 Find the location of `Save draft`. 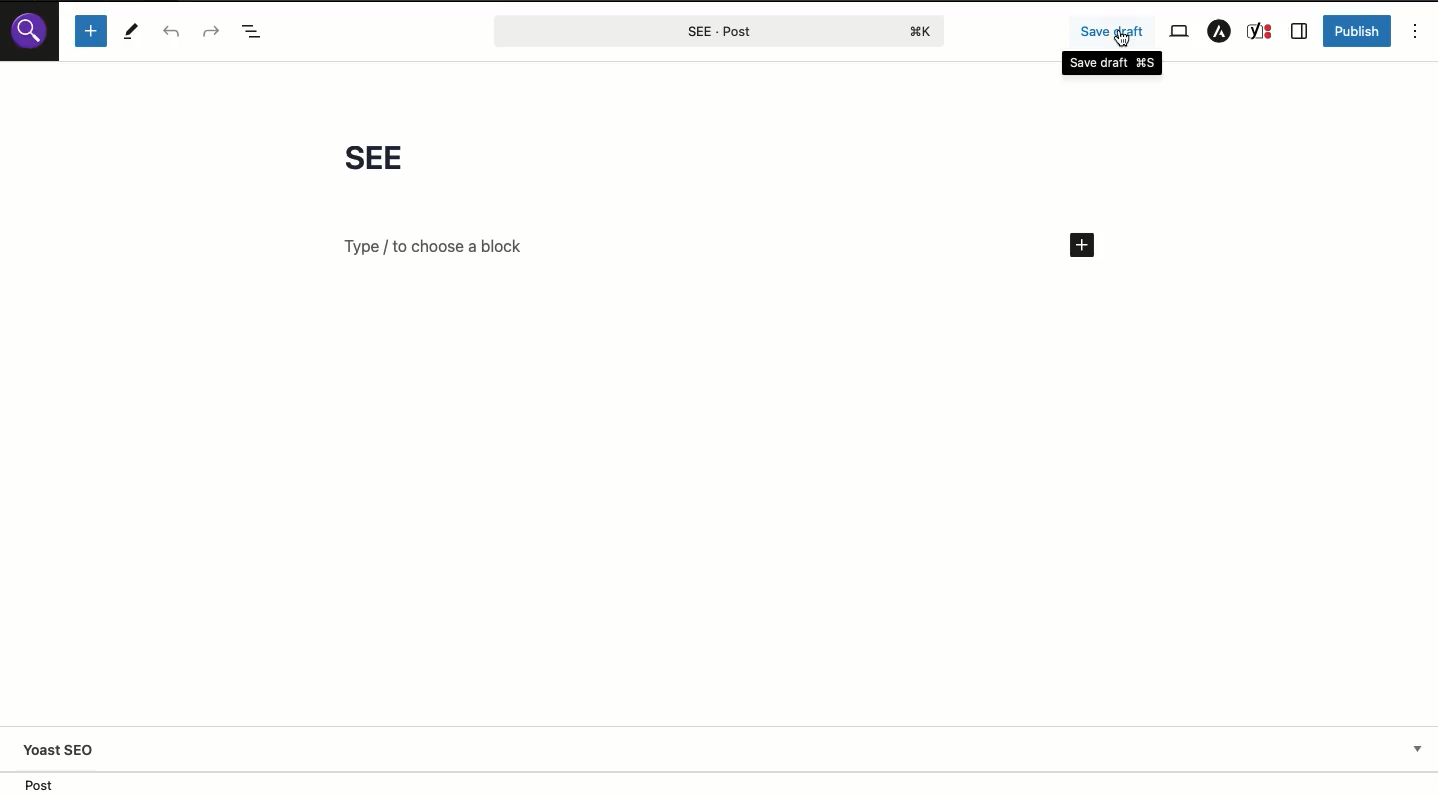

Save draft is located at coordinates (1104, 35).